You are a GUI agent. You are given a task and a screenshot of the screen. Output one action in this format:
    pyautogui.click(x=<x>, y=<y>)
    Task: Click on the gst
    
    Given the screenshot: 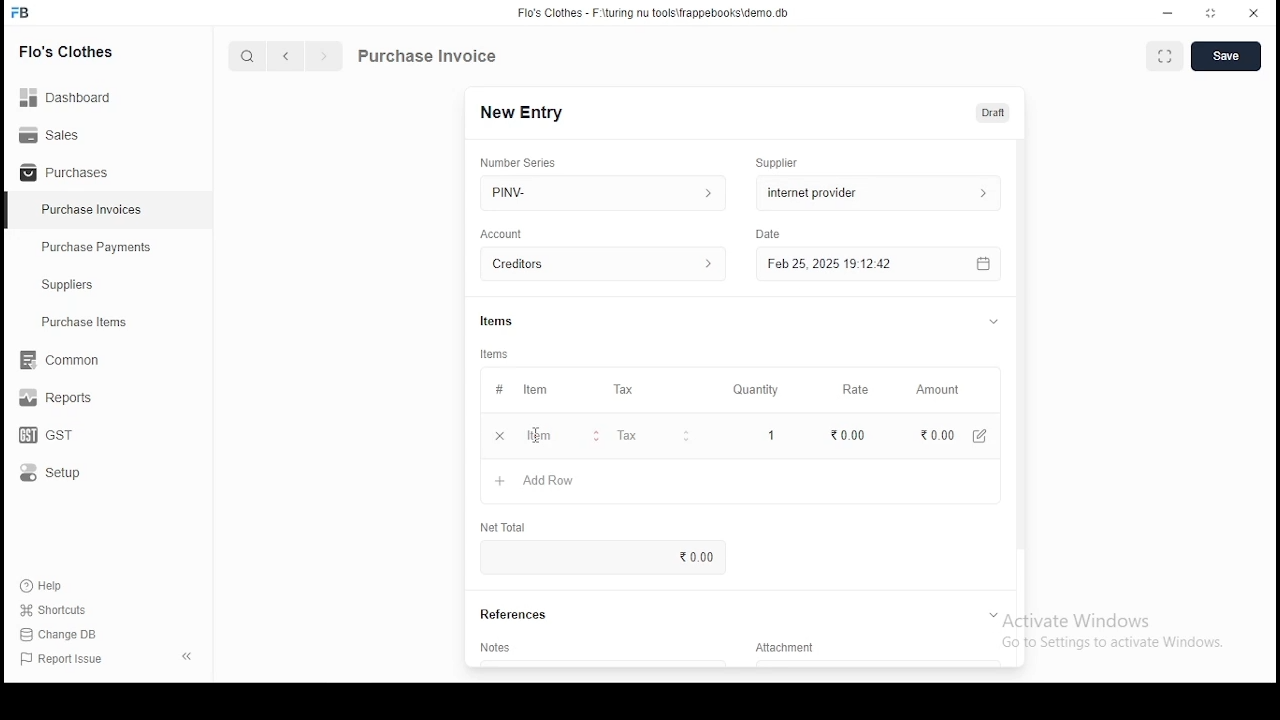 What is the action you would take?
    pyautogui.click(x=46, y=437)
    